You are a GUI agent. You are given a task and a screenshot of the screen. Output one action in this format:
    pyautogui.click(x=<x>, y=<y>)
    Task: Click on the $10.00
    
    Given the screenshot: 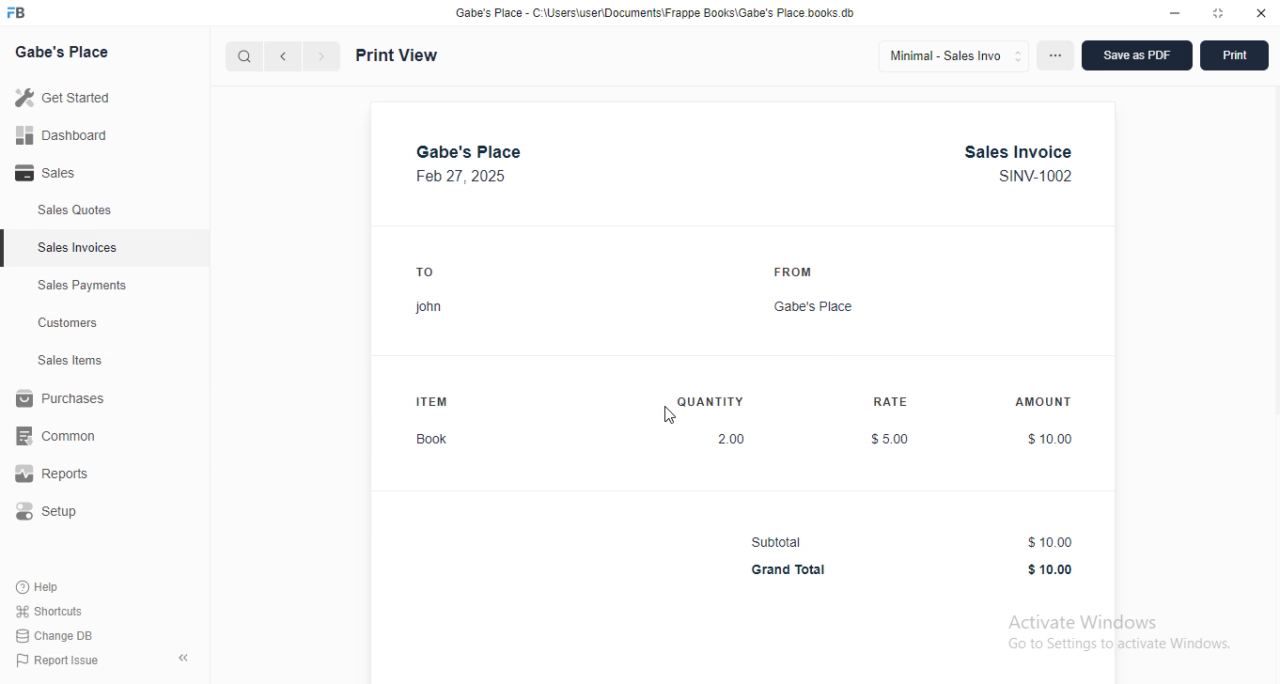 What is the action you would take?
    pyautogui.click(x=1051, y=570)
    